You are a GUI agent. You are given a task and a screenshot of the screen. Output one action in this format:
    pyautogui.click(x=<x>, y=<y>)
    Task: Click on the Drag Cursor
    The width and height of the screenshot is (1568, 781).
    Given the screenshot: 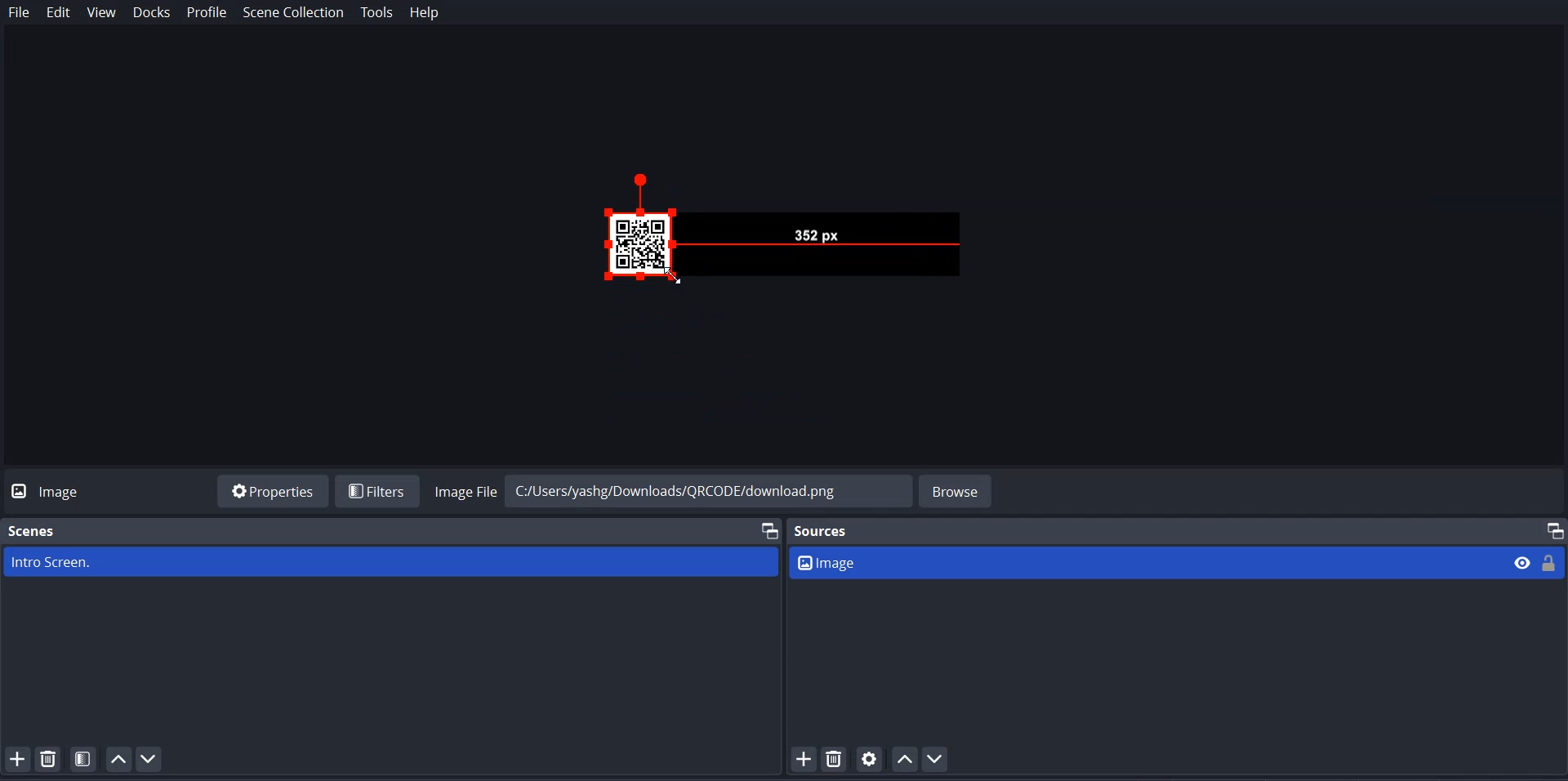 What is the action you would take?
    pyautogui.click(x=673, y=274)
    